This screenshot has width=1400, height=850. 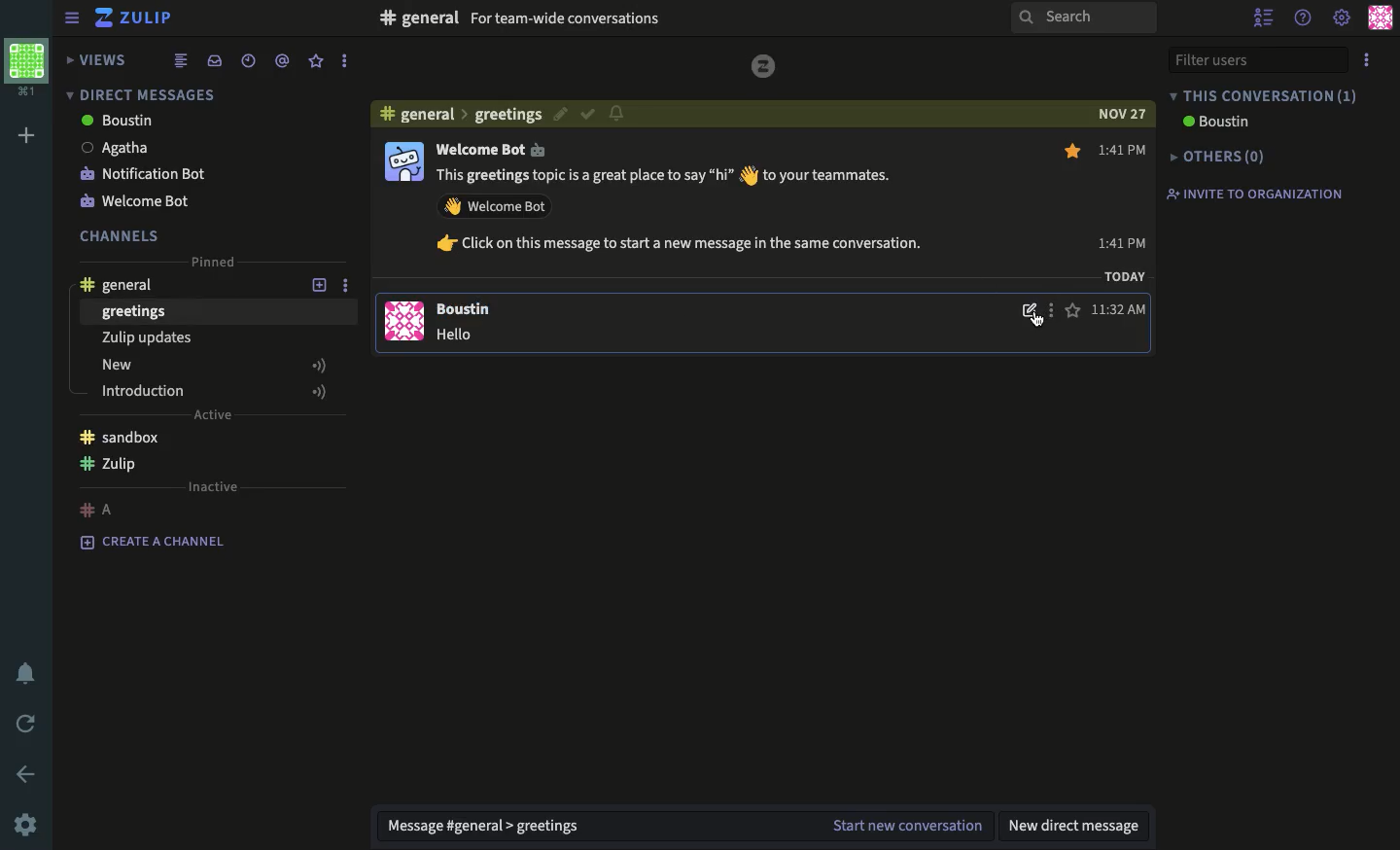 I want to click on add topic, so click(x=308, y=283).